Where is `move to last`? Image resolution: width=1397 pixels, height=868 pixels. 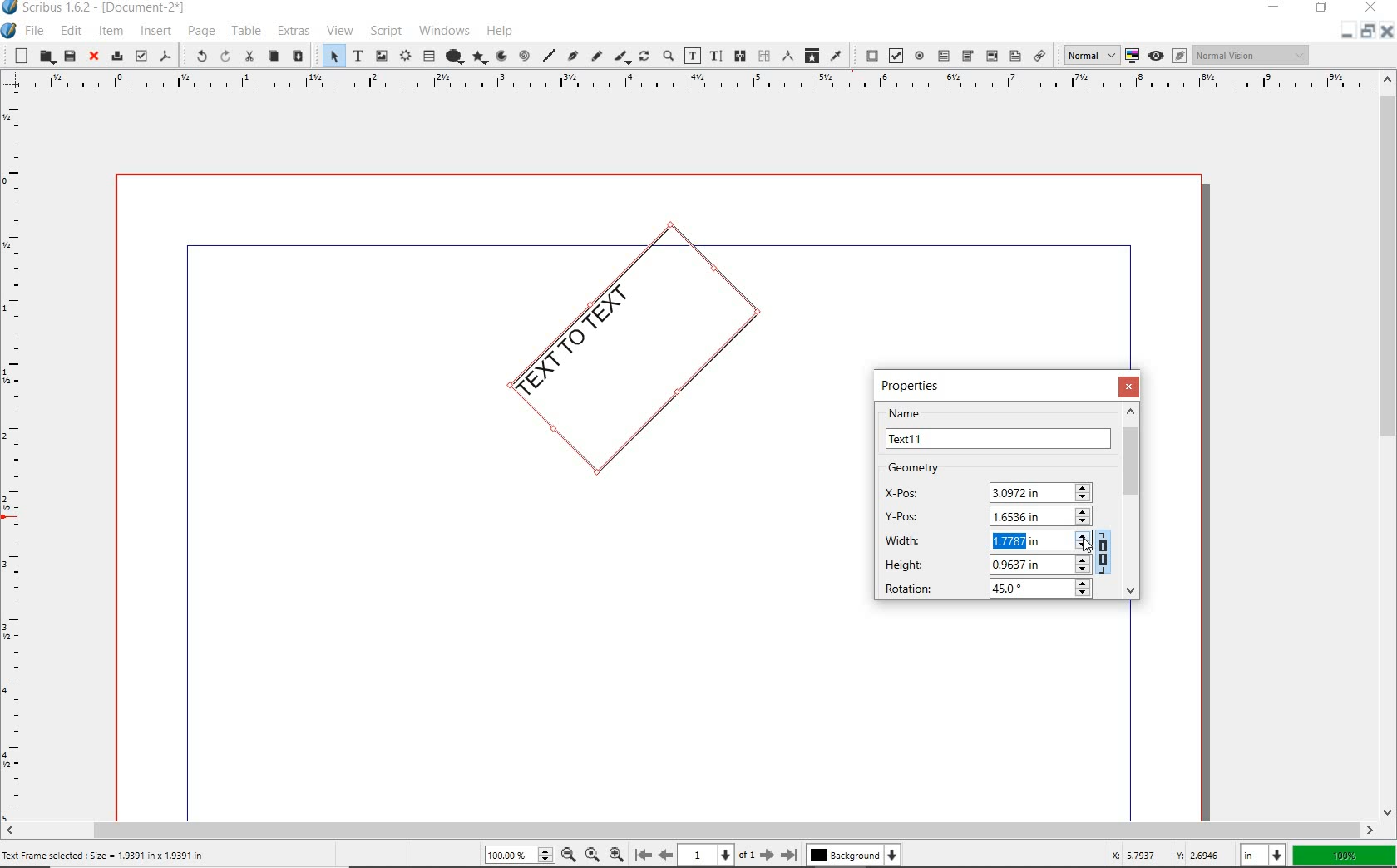
move to last is located at coordinates (792, 856).